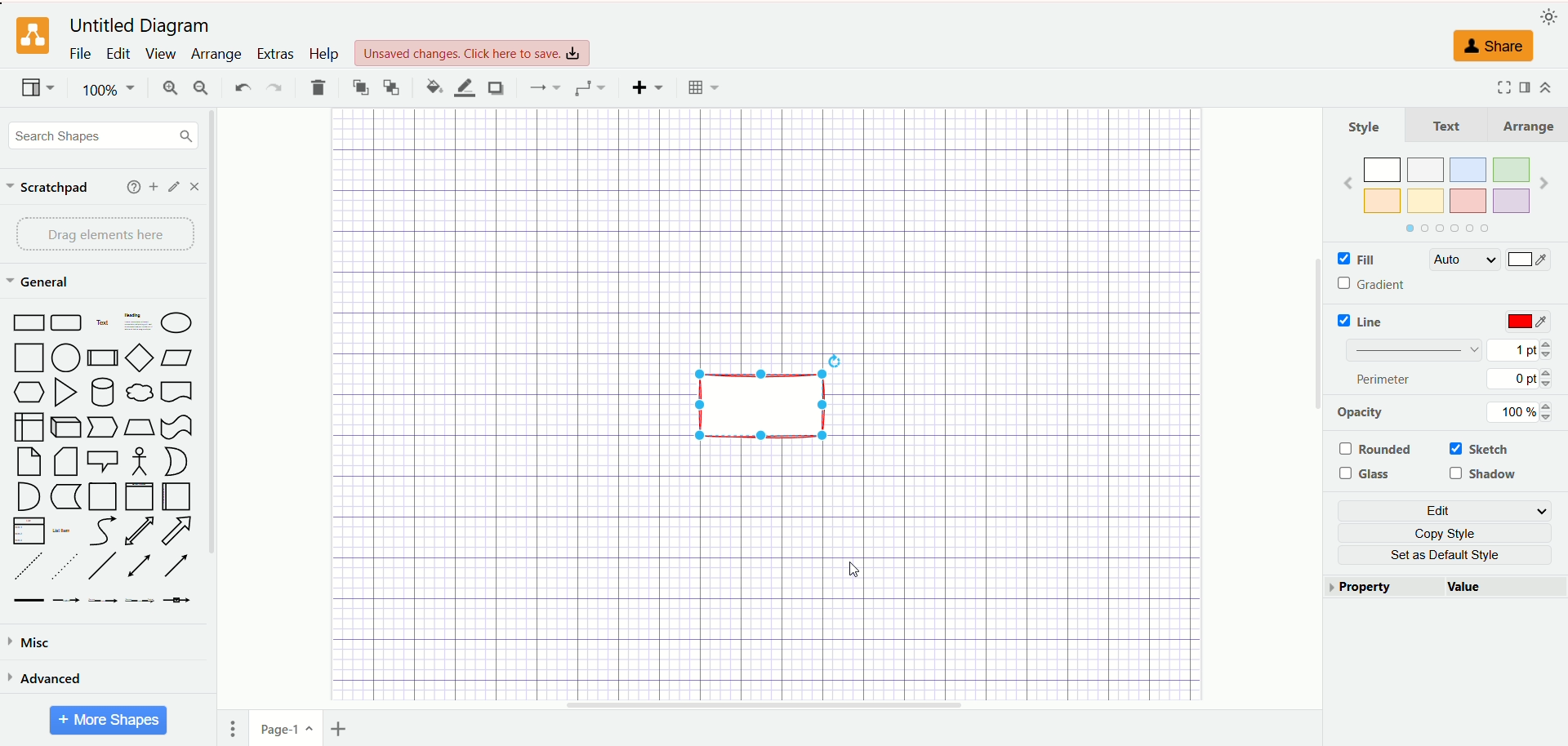 The image size is (1568, 746). I want to click on logo, so click(33, 36).